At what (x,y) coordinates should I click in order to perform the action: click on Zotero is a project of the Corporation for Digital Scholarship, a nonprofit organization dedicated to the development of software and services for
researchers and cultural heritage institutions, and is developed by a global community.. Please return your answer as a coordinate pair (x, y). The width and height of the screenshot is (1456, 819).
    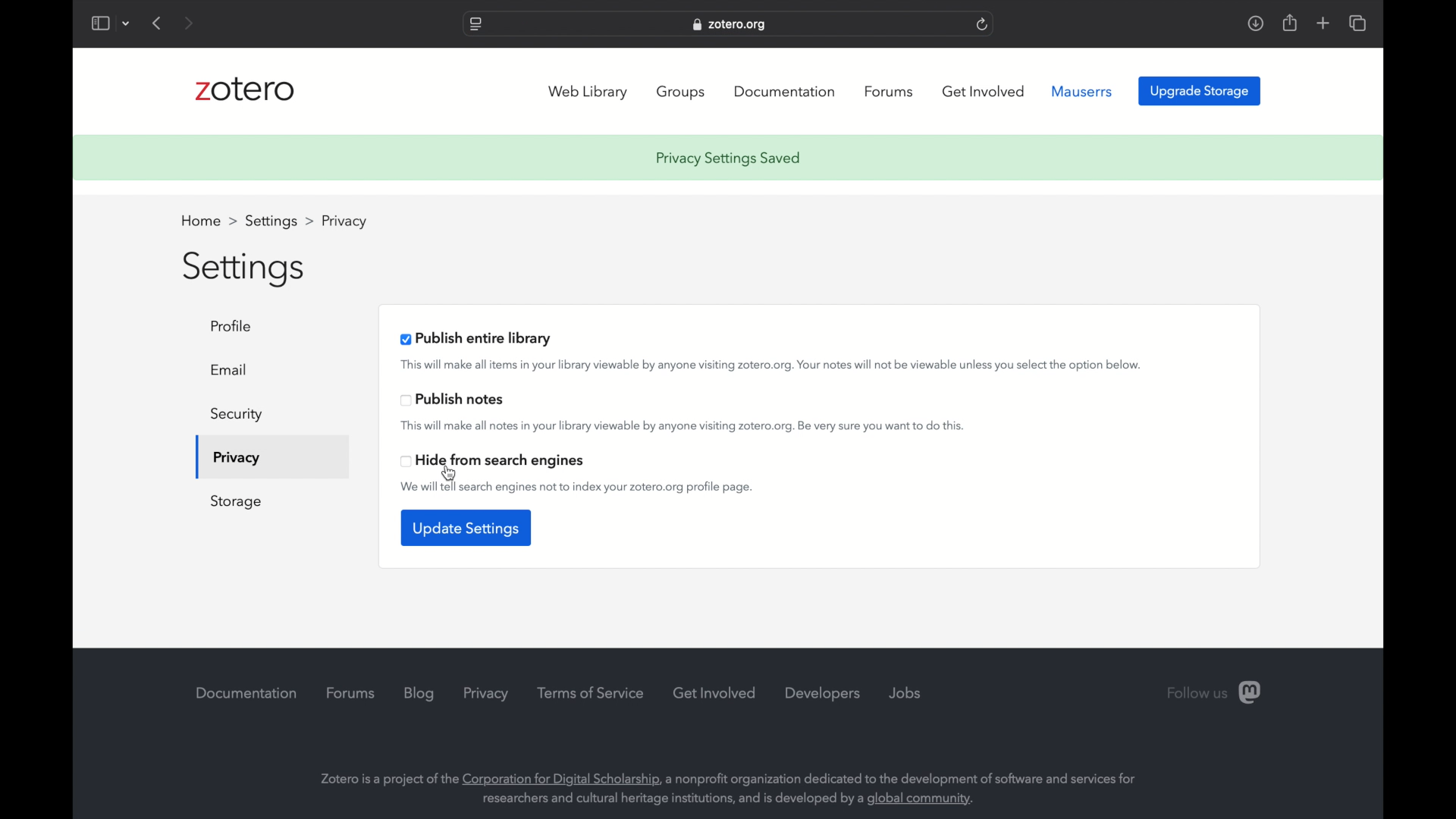
    Looking at the image, I should click on (736, 783).